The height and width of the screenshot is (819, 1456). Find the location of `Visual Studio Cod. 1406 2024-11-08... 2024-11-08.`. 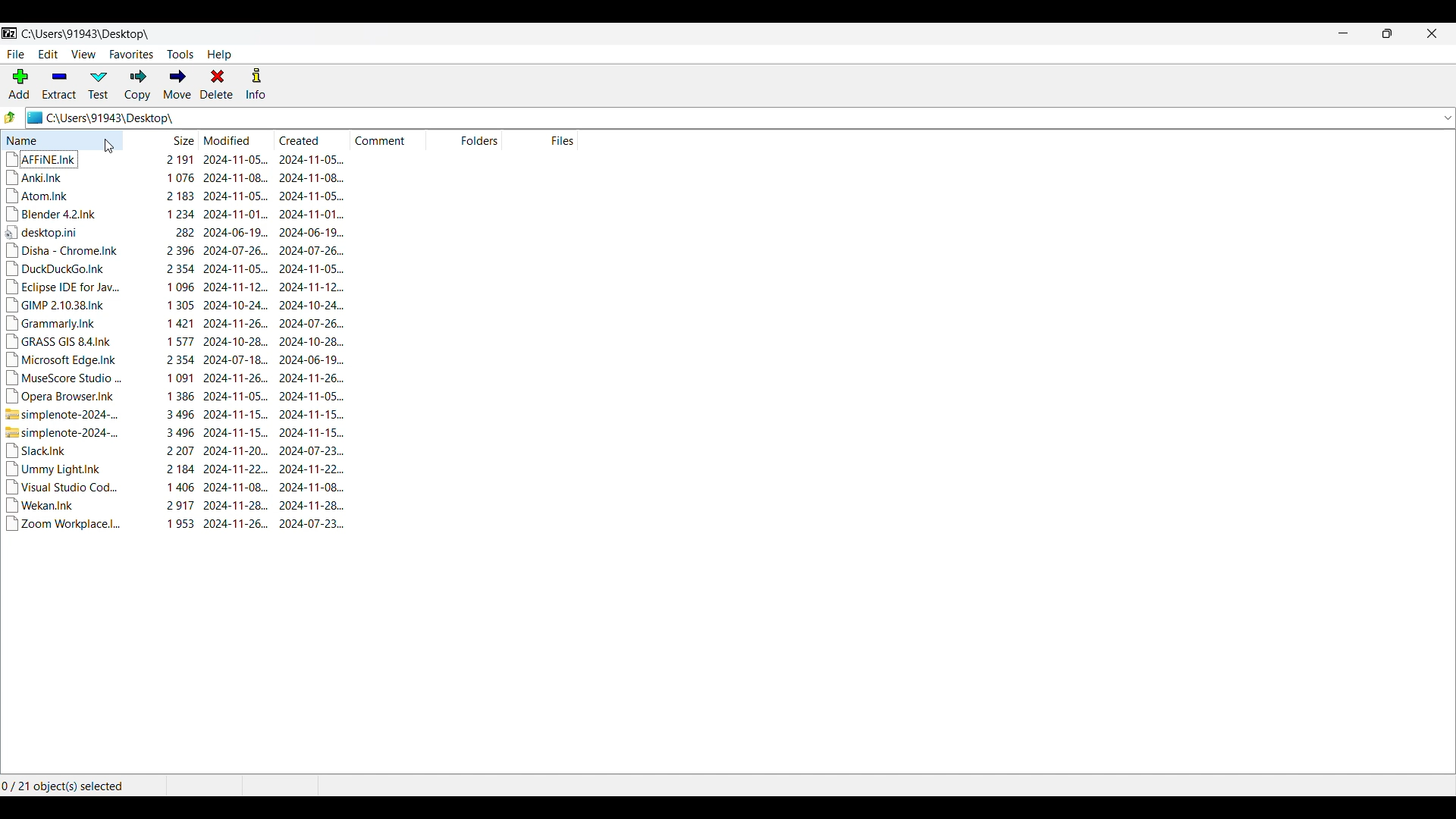

Visual Studio Cod. 1406 2024-11-08... 2024-11-08. is located at coordinates (176, 487).